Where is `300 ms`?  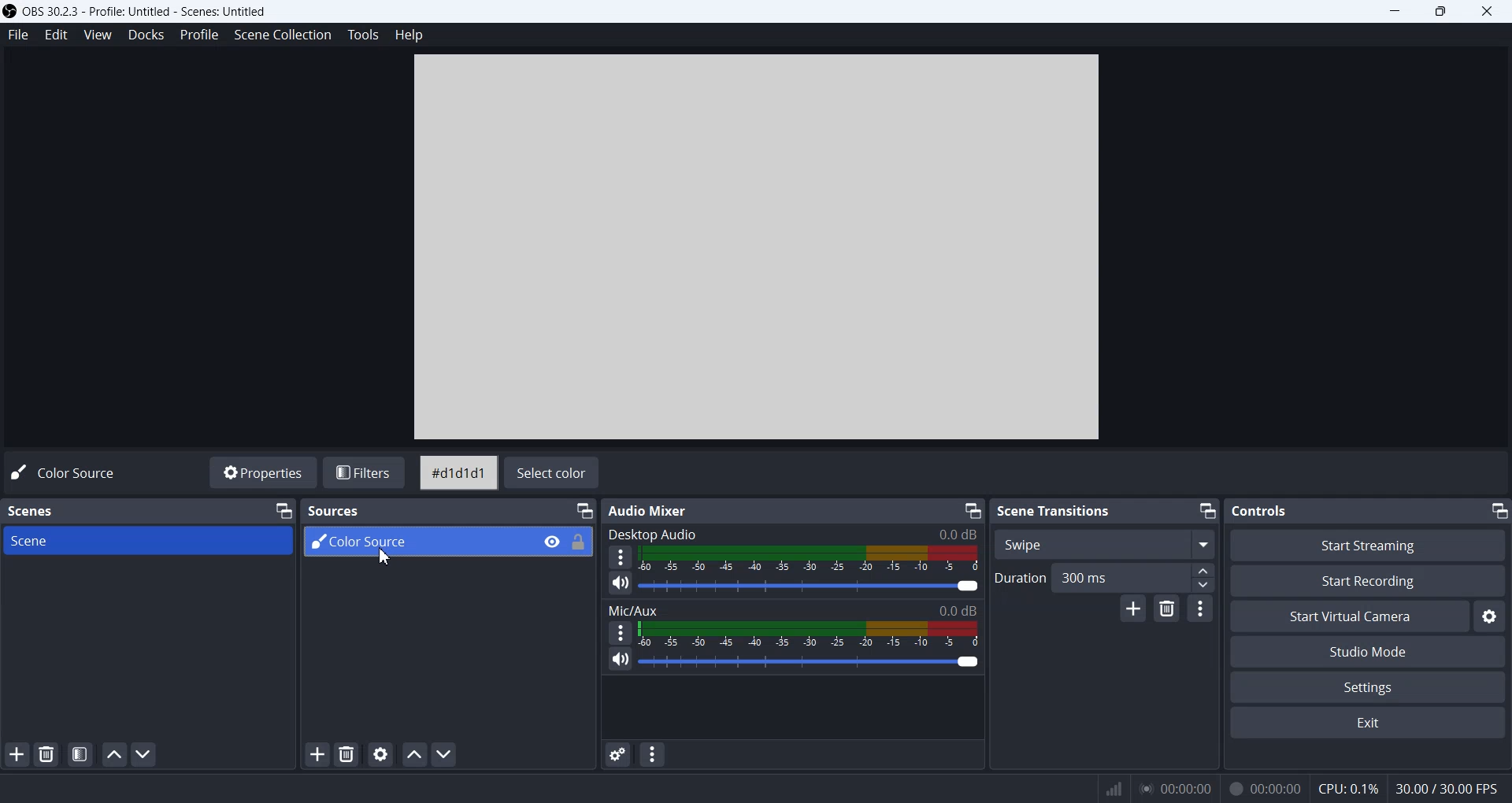 300 ms is located at coordinates (1134, 577).